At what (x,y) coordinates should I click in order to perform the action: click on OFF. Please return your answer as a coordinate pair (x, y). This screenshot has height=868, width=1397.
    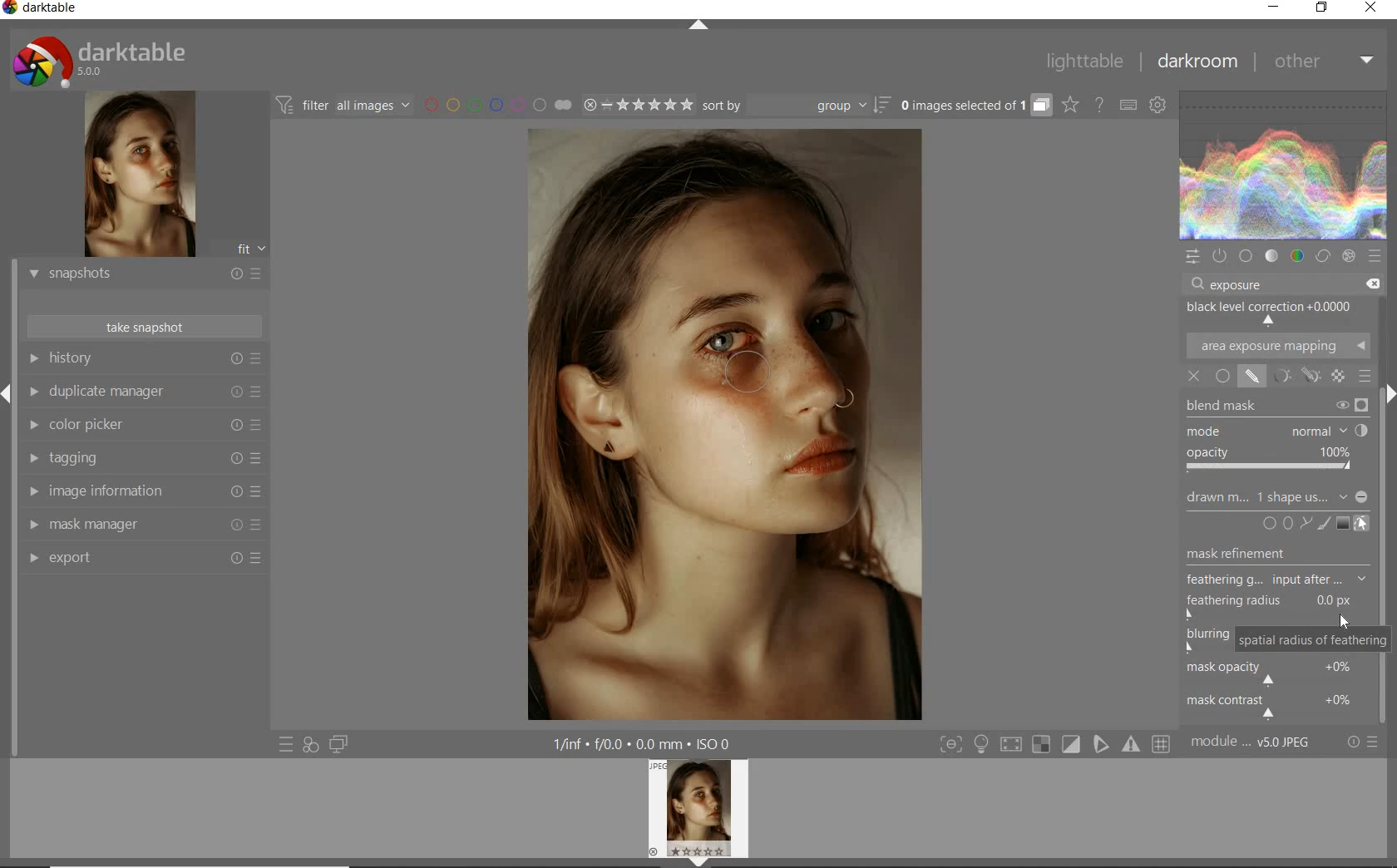
    Looking at the image, I should click on (1196, 376).